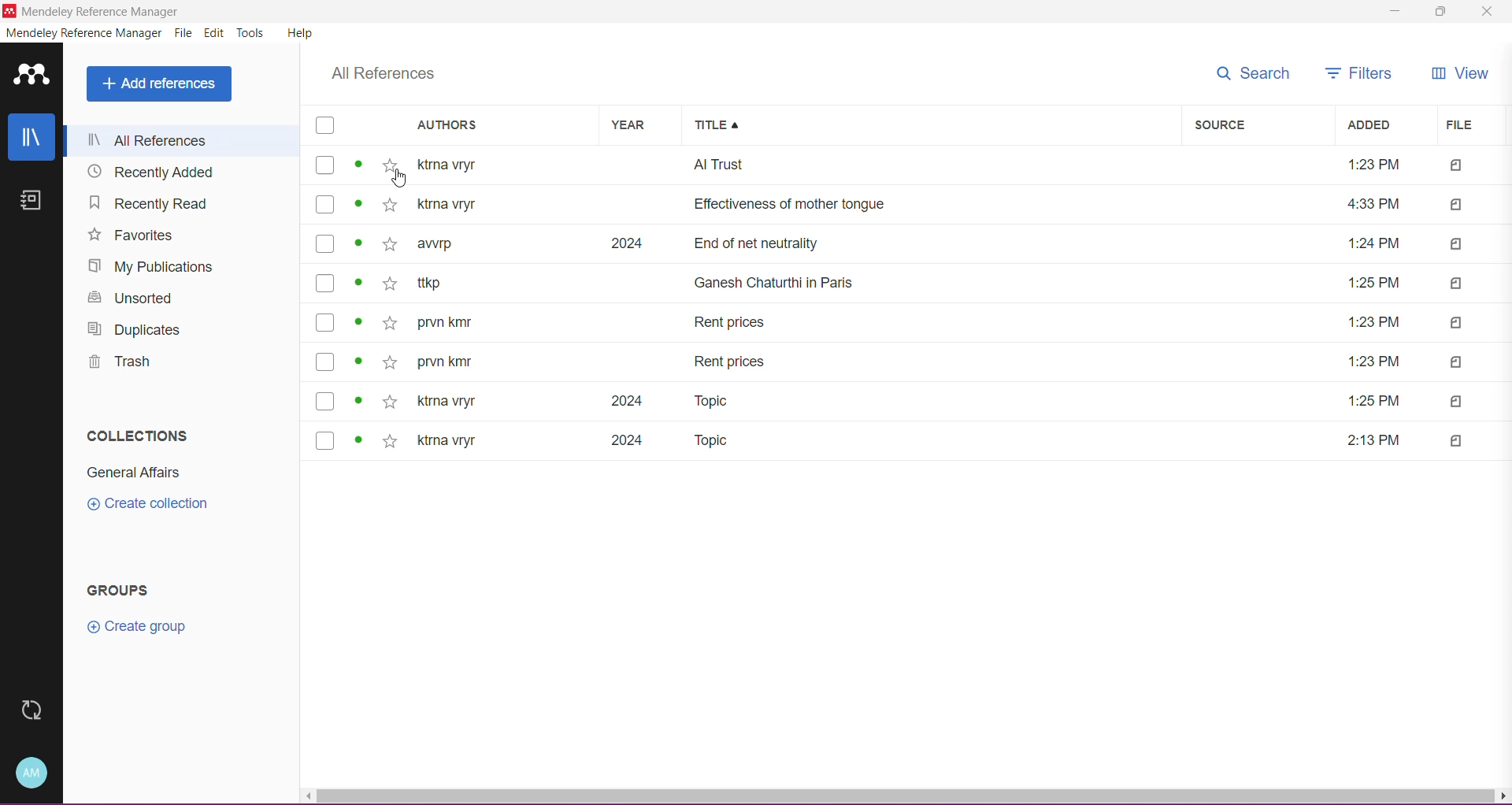  I want to click on Mendeley Reference Manager, so click(102, 11).